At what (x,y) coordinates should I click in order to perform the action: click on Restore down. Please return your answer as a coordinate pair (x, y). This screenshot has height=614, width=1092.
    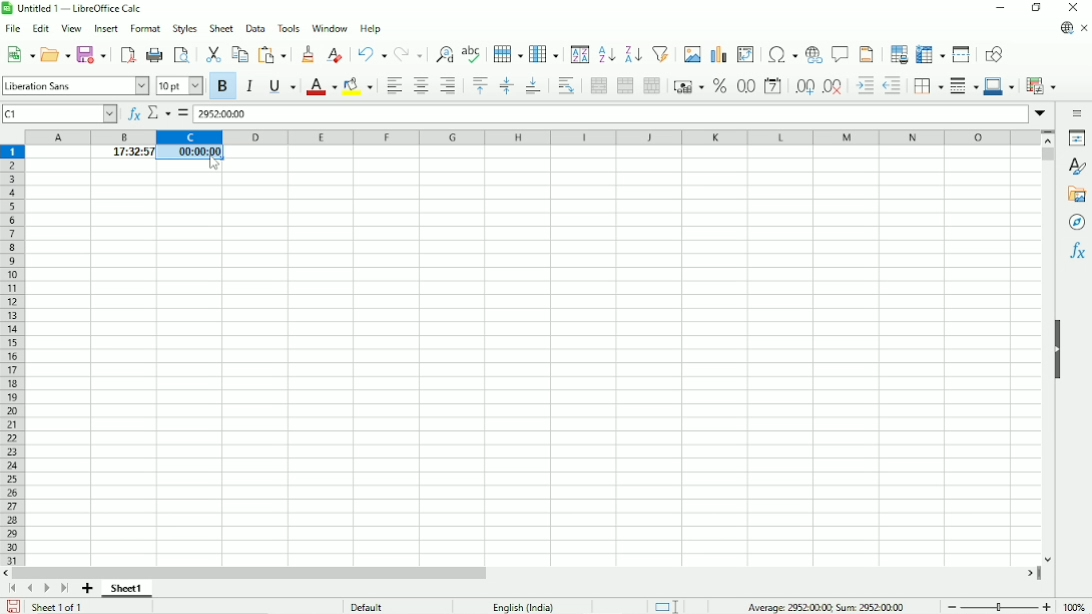
    Looking at the image, I should click on (1037, 7).